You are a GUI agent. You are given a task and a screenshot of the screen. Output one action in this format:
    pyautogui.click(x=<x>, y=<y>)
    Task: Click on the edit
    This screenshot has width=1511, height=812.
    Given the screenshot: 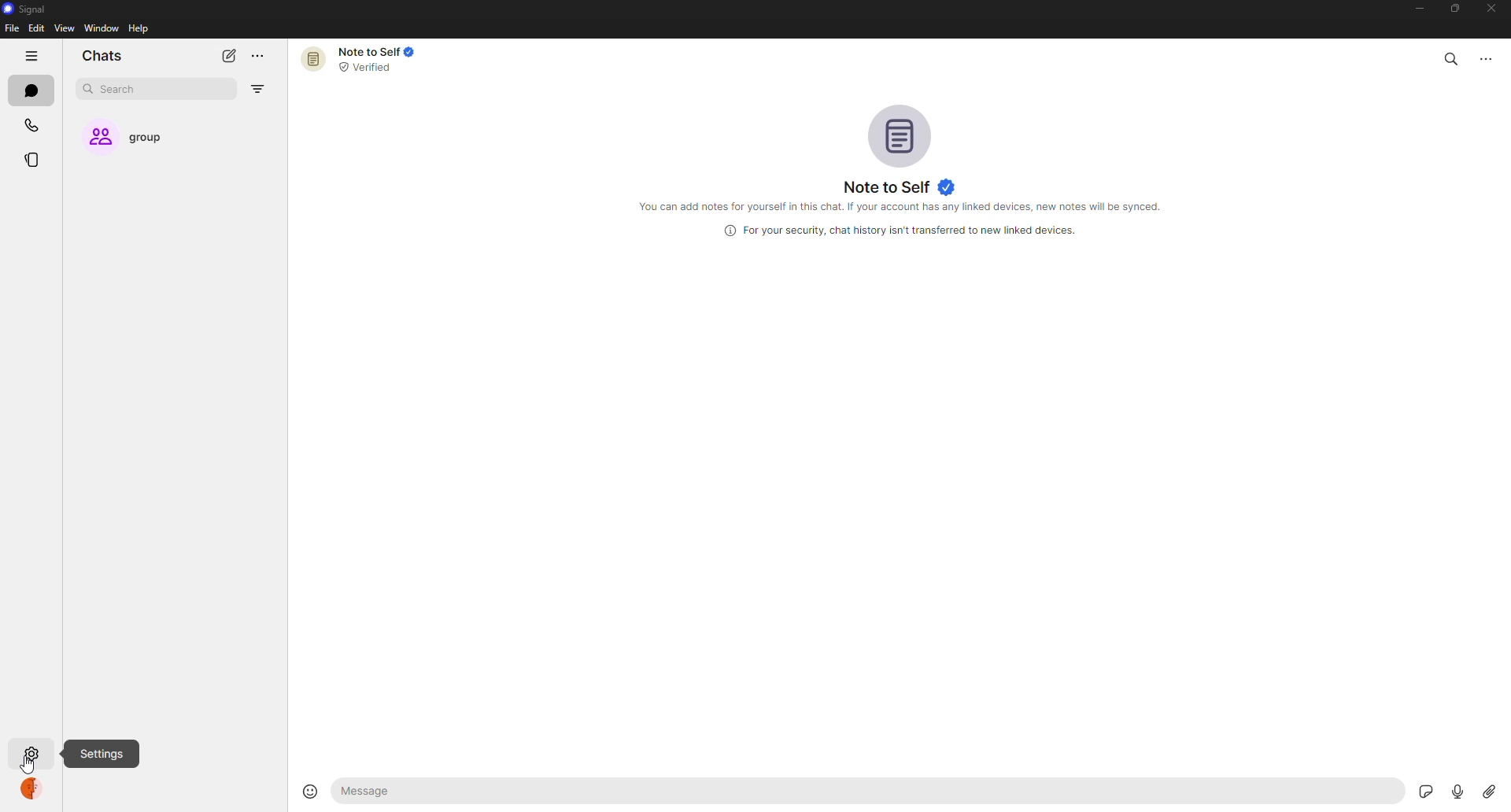 What is the action you would take?
    pyautogui.click(x=36, y=28)
    